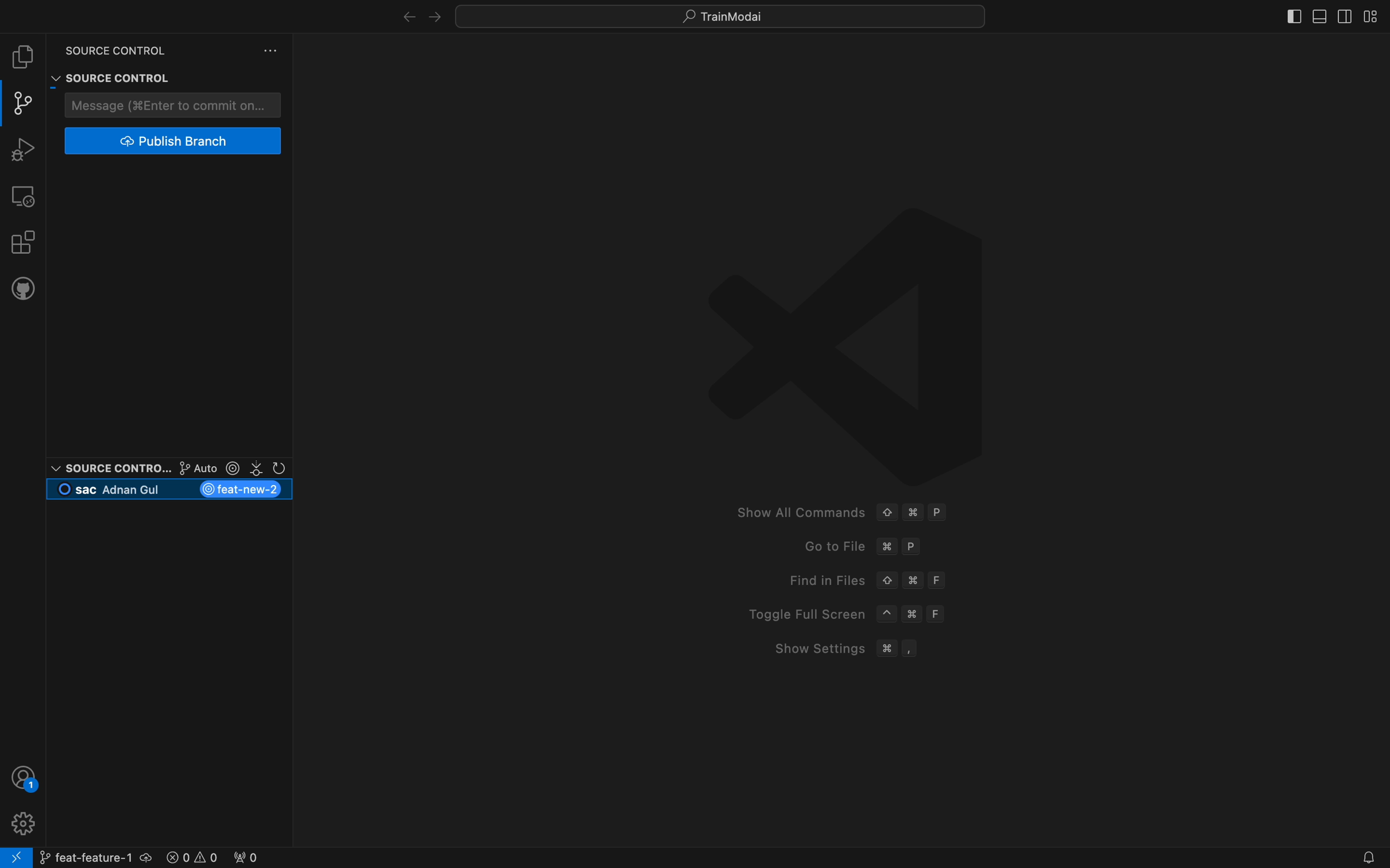 The width and height of the screenshot is (1390, 868). What do you see at coordinates (25, 777) in the screenshot?
I see `profile` at bounding box center [25, 777].